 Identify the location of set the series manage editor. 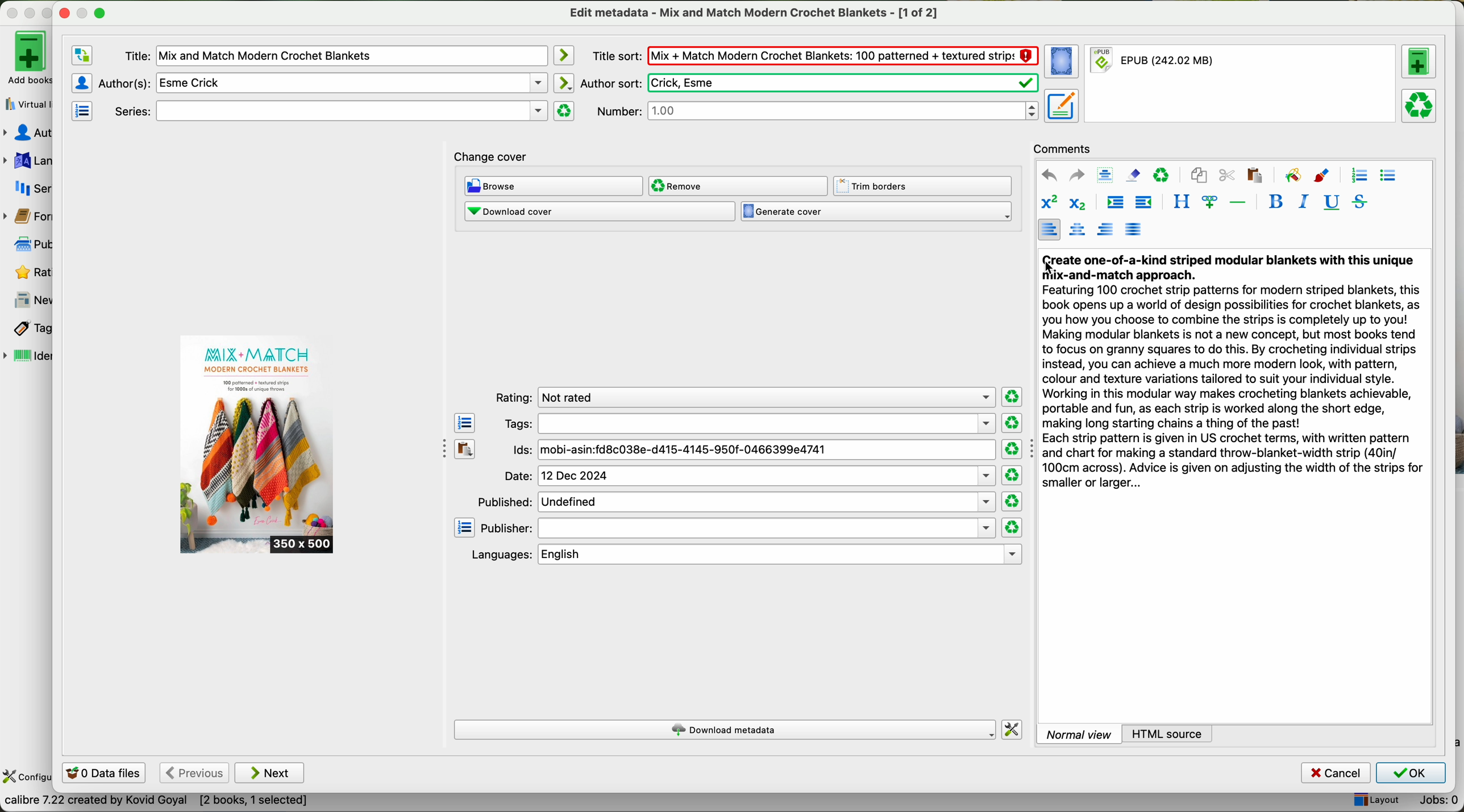
(81, 110).